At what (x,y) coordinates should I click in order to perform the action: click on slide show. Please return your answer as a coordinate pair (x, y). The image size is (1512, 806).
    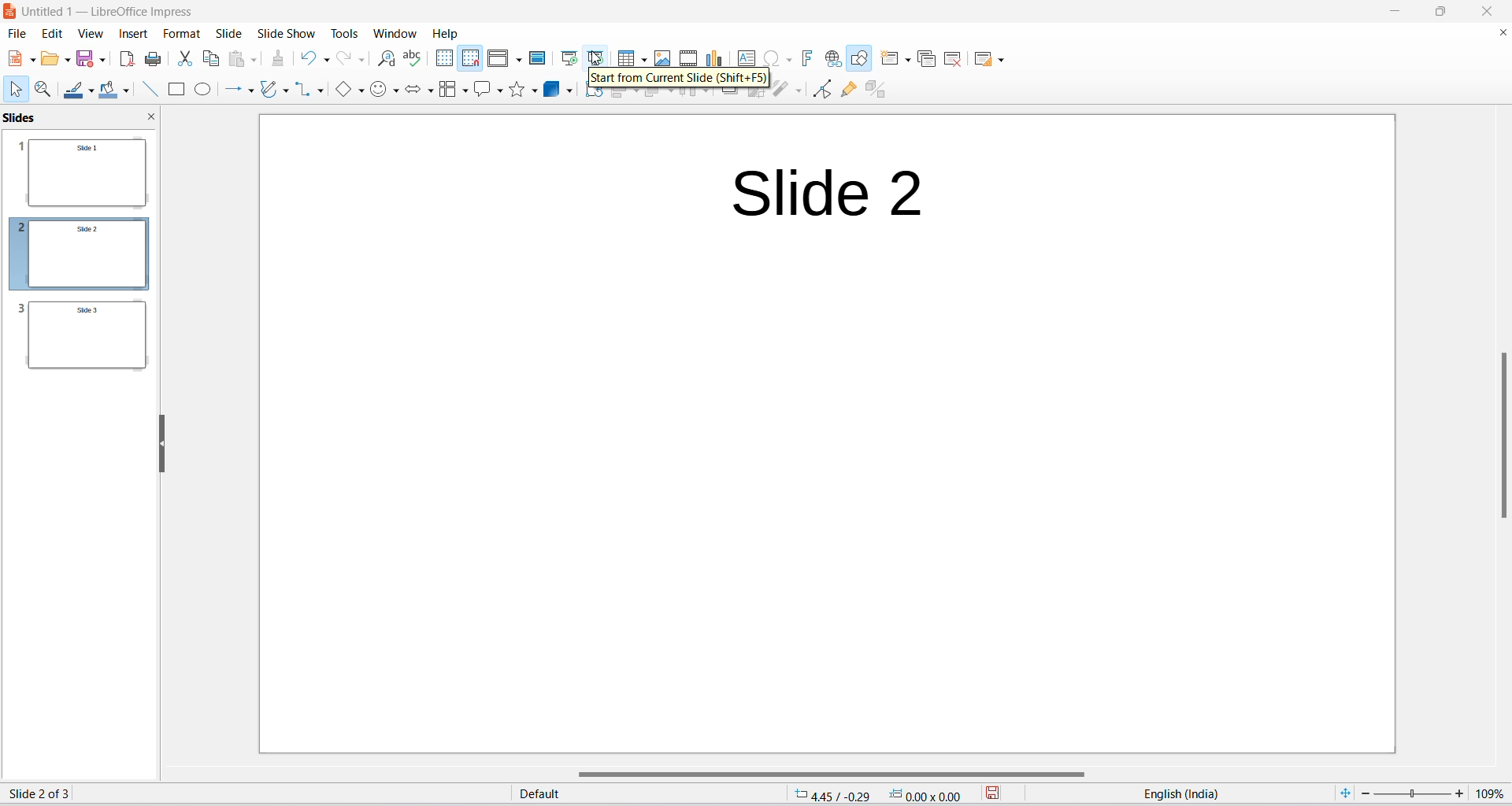
    Looking at the image, I should click on (287, 33).